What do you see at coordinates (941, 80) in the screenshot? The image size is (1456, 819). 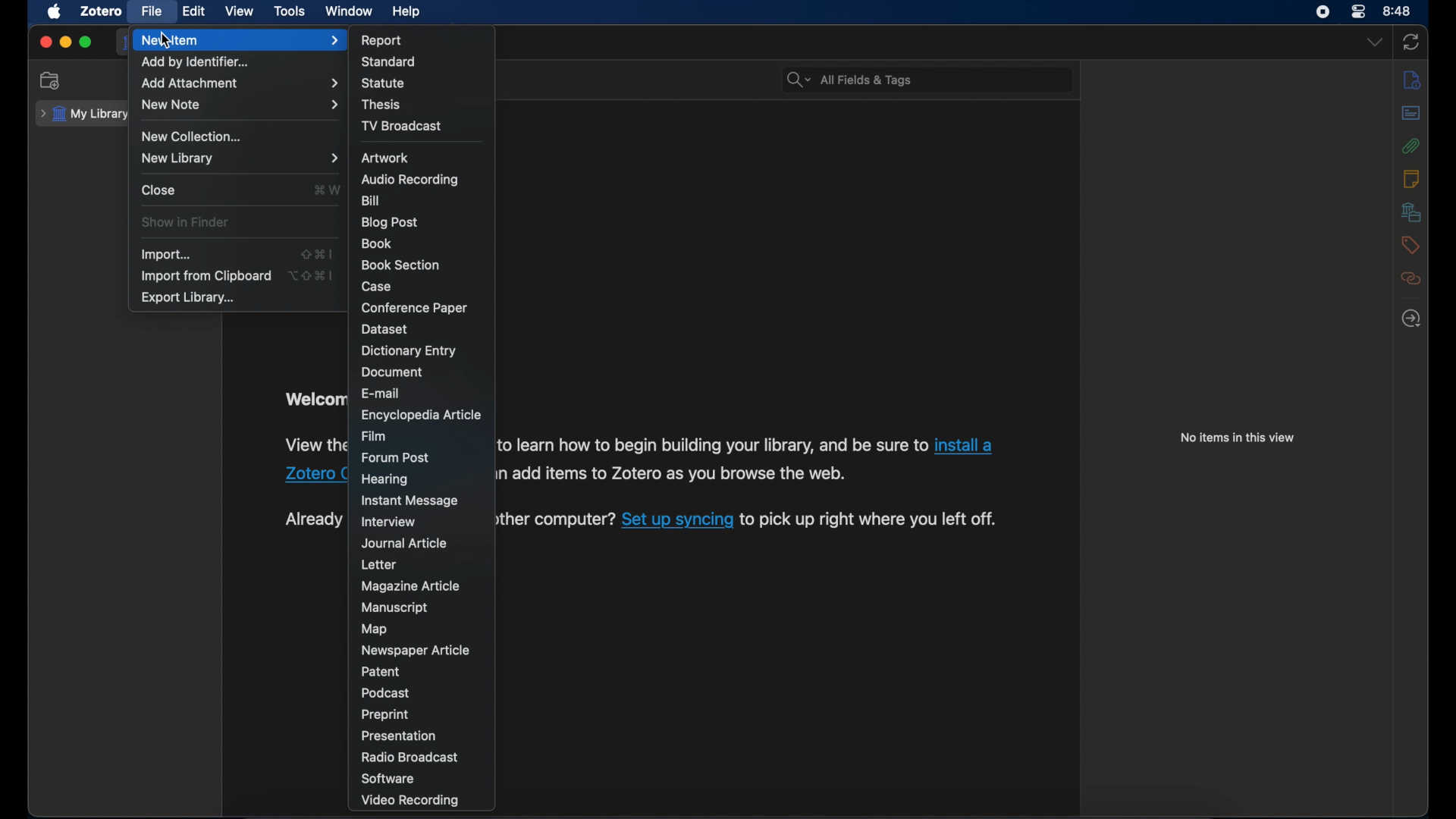 I see `search bar input` at bounding box center [941, 80].